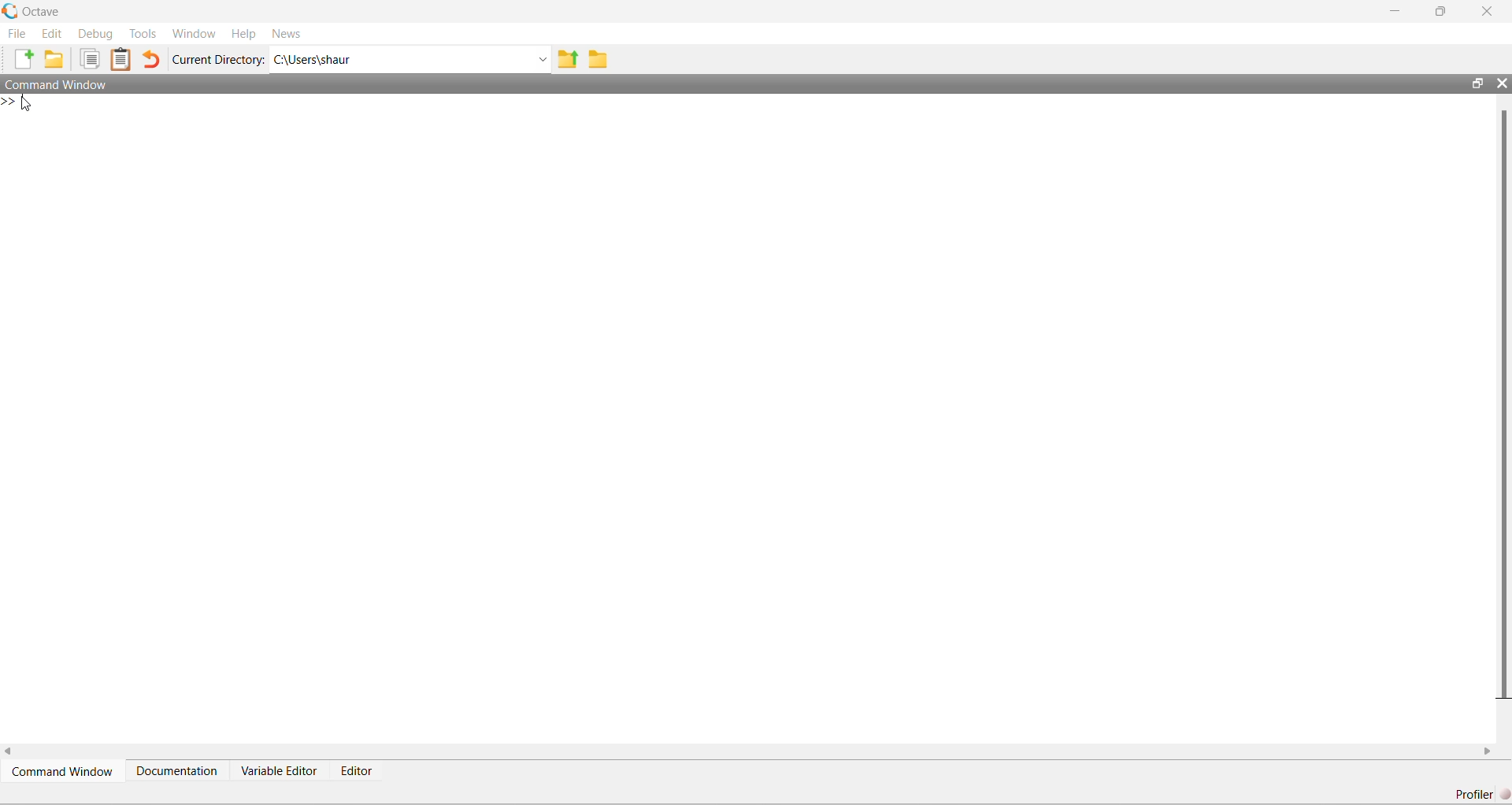 This screenshot has width=1512, height=805. Describe the element at coordinates (1501, 83) in the screenshot. I see `Close` at that location.